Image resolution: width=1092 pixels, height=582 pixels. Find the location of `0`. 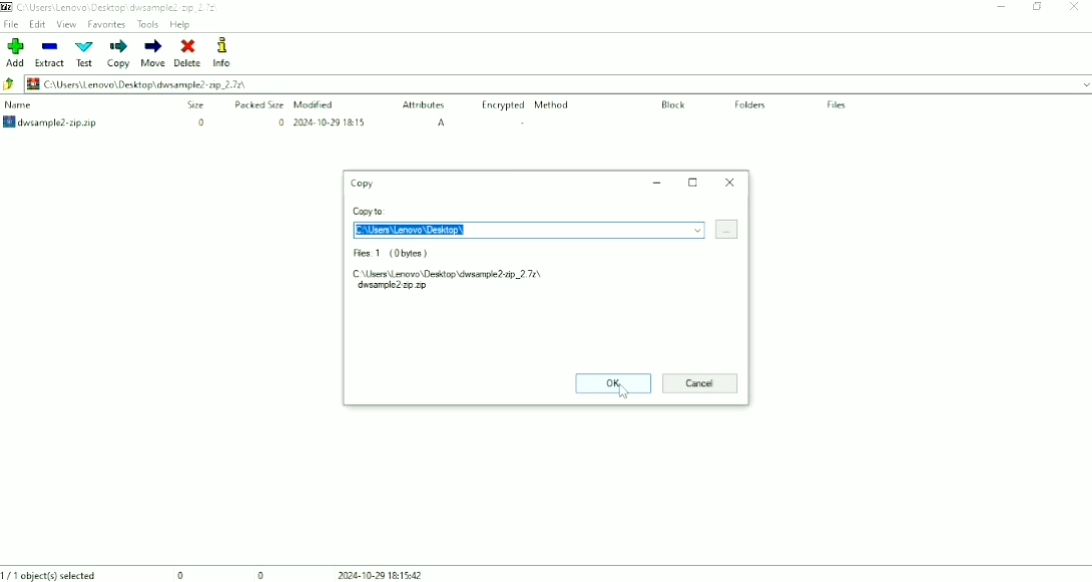

0 is located at coordinates (199, 122).